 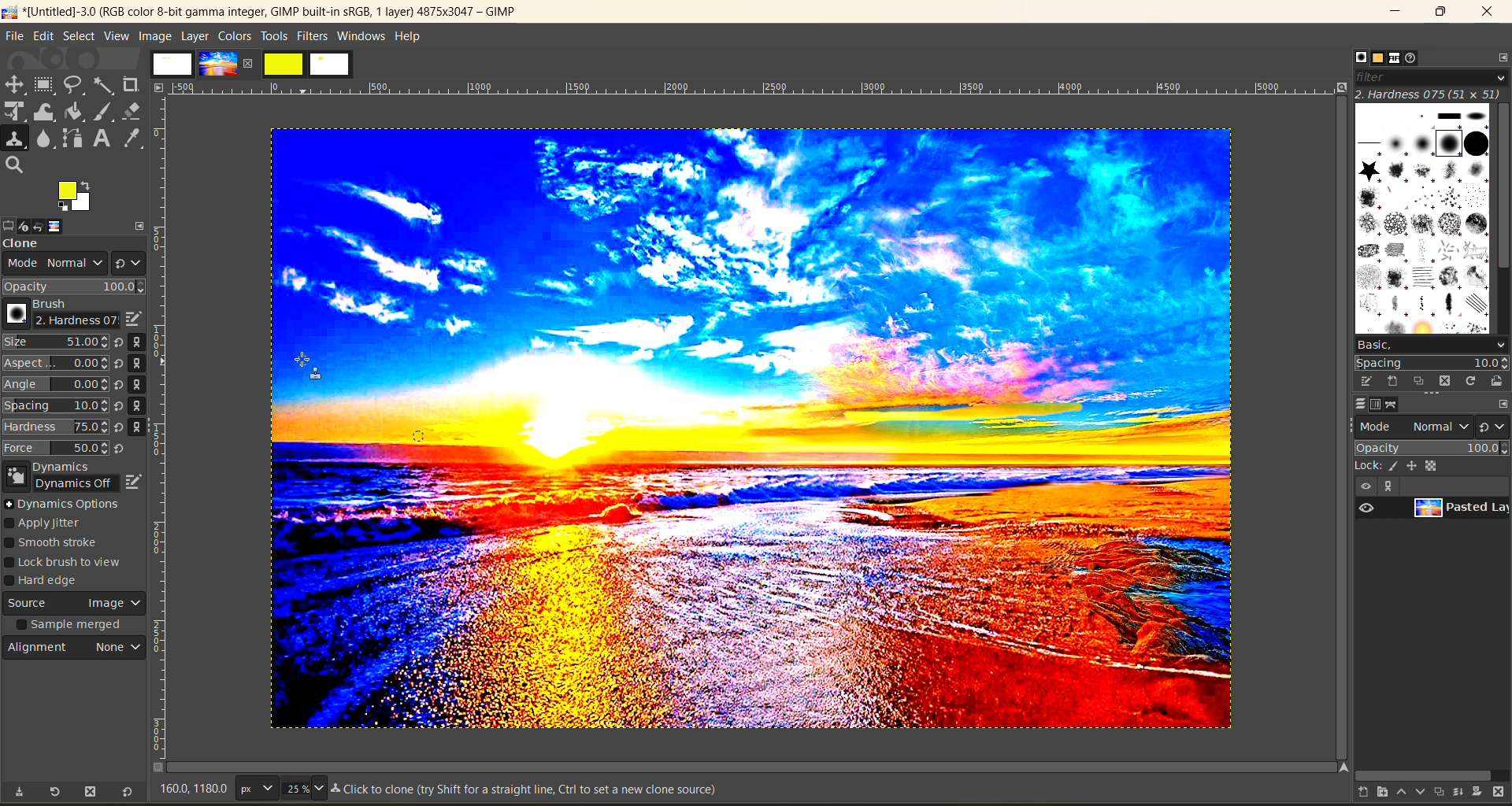 I want to click on hardness, so click(x=1429, y=94).